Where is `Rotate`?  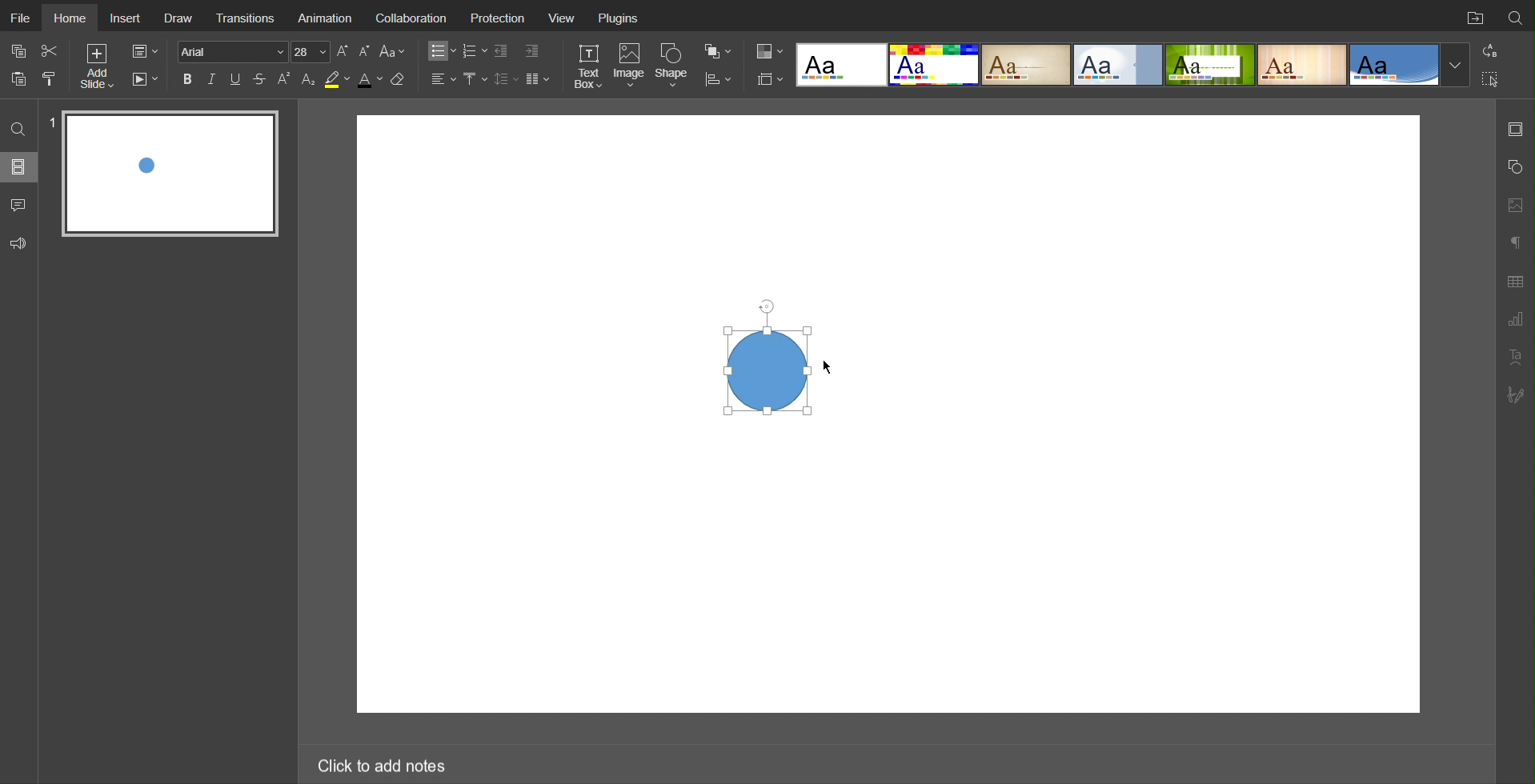 Rotate is located at coordinates (765, 303).